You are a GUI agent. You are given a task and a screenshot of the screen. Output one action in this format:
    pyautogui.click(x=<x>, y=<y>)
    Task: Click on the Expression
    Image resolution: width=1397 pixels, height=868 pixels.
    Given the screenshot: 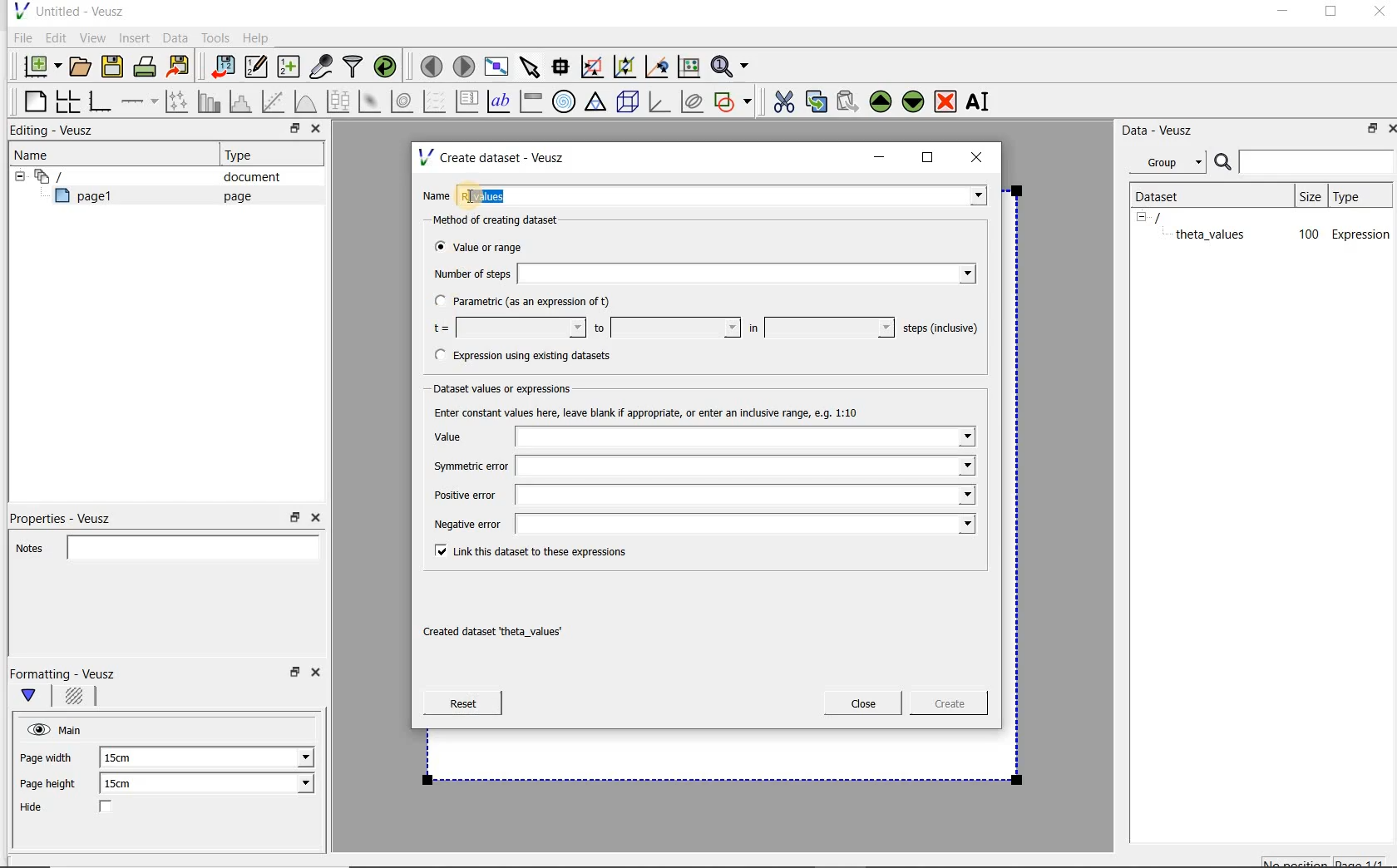 What is the action you would take?
    pyautogui.click(x=1361, y=234)
    